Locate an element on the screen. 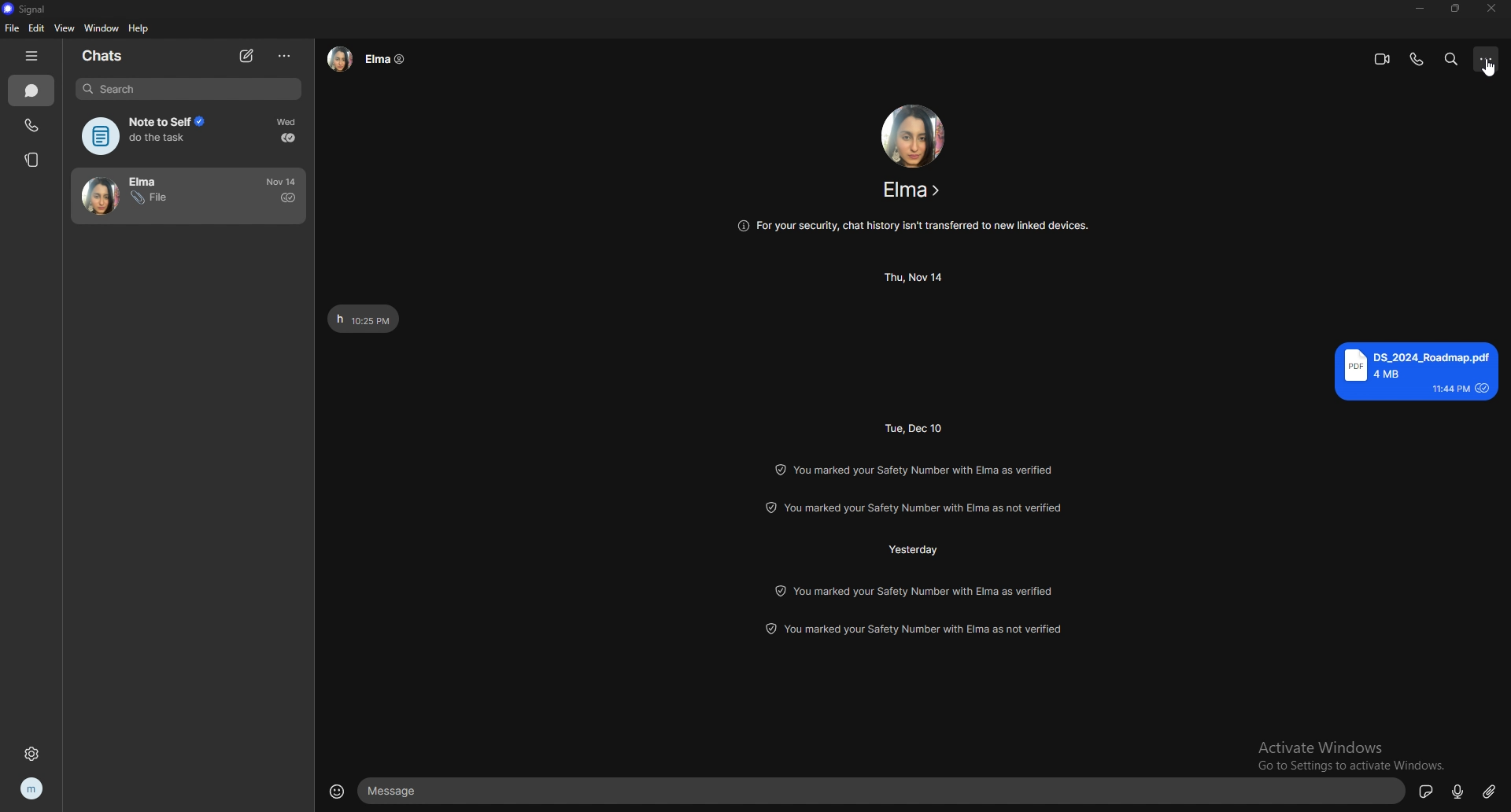 This screenshot has height=812, width=1511. contact info is located at coordinates (369, 58).